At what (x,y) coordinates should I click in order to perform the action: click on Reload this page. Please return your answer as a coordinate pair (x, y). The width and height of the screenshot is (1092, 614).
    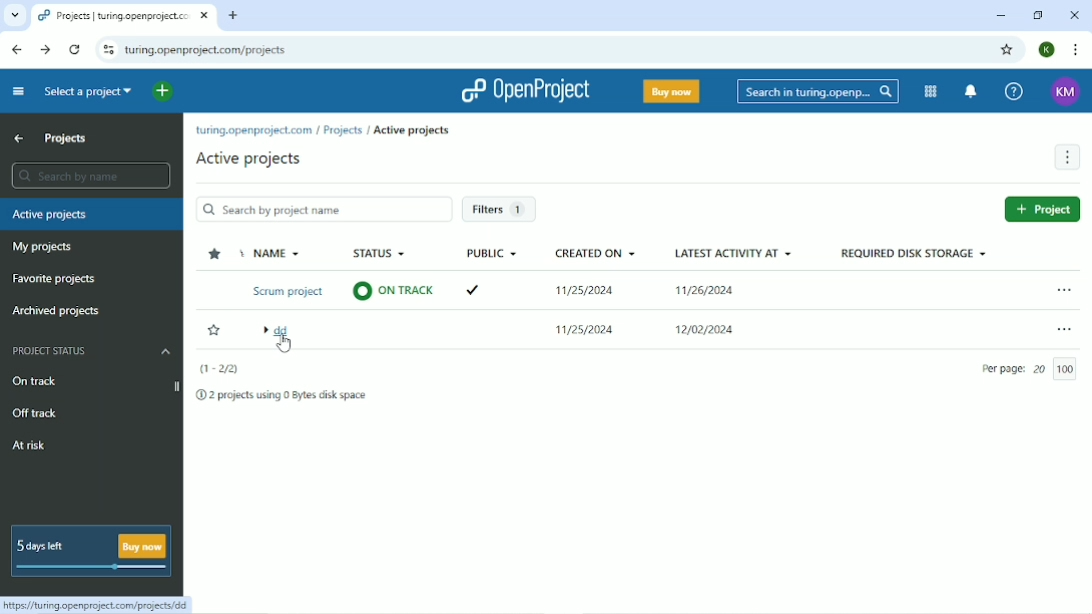
    Looking at the image, I should click on (75, 49).